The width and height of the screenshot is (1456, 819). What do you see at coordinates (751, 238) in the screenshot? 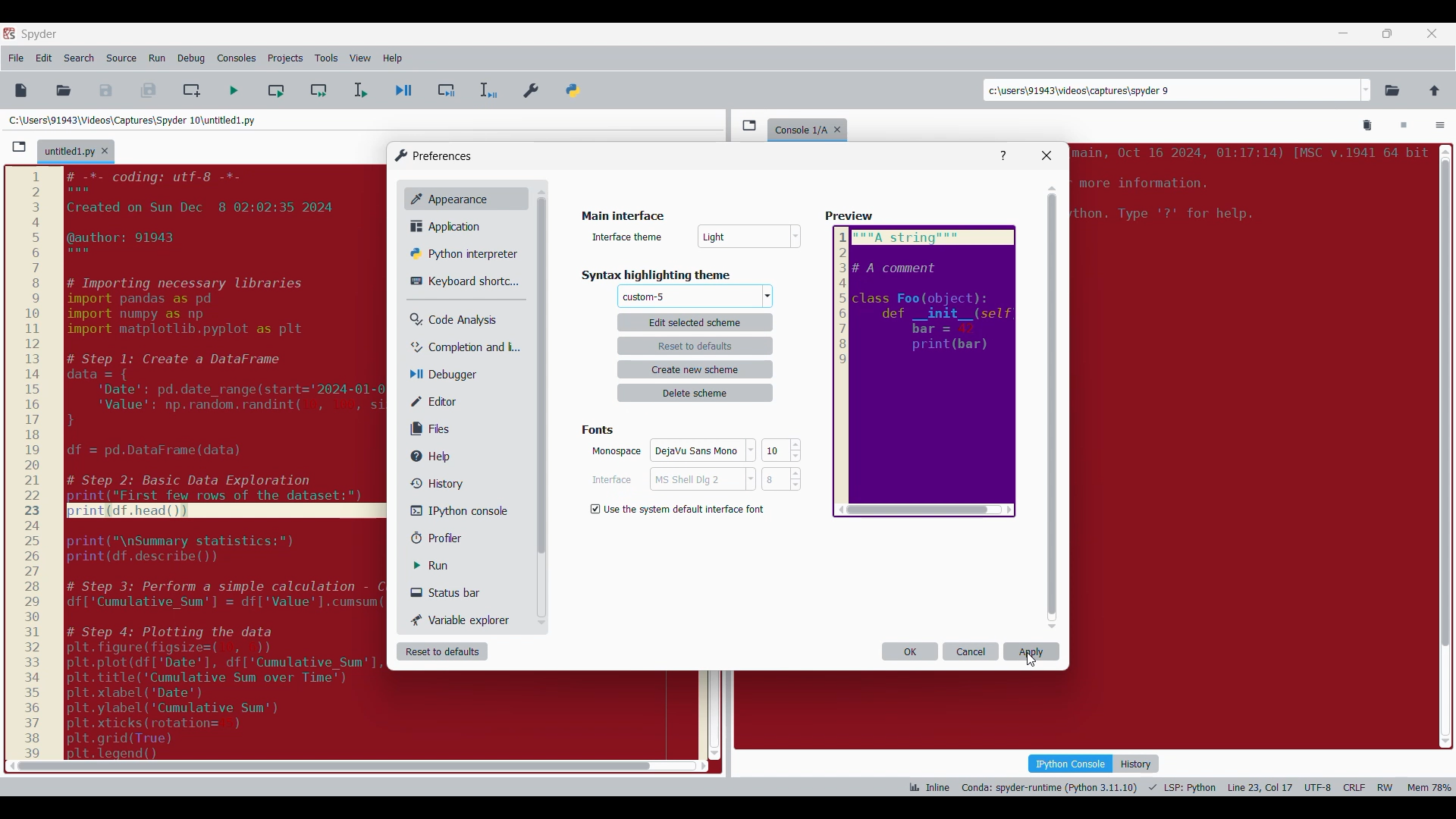
I see `` at bounding box center [751, 238].